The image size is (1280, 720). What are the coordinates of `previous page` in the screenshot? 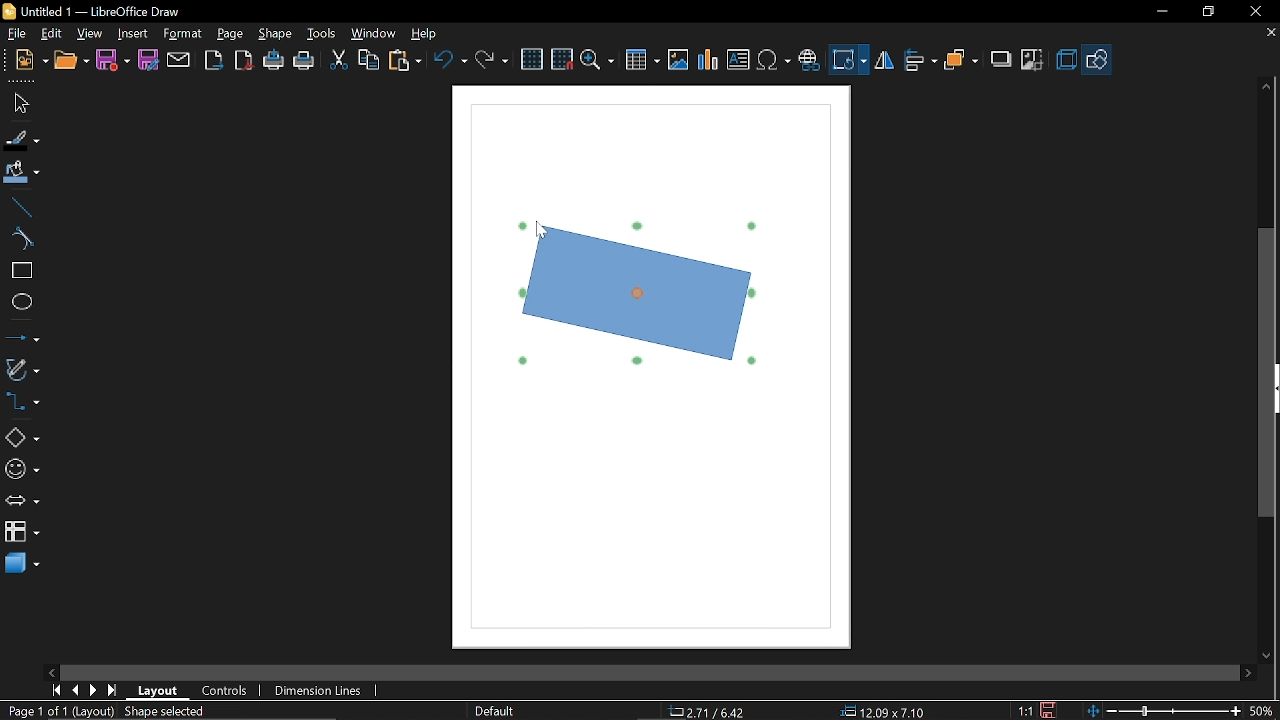 It's located at (75, 690).